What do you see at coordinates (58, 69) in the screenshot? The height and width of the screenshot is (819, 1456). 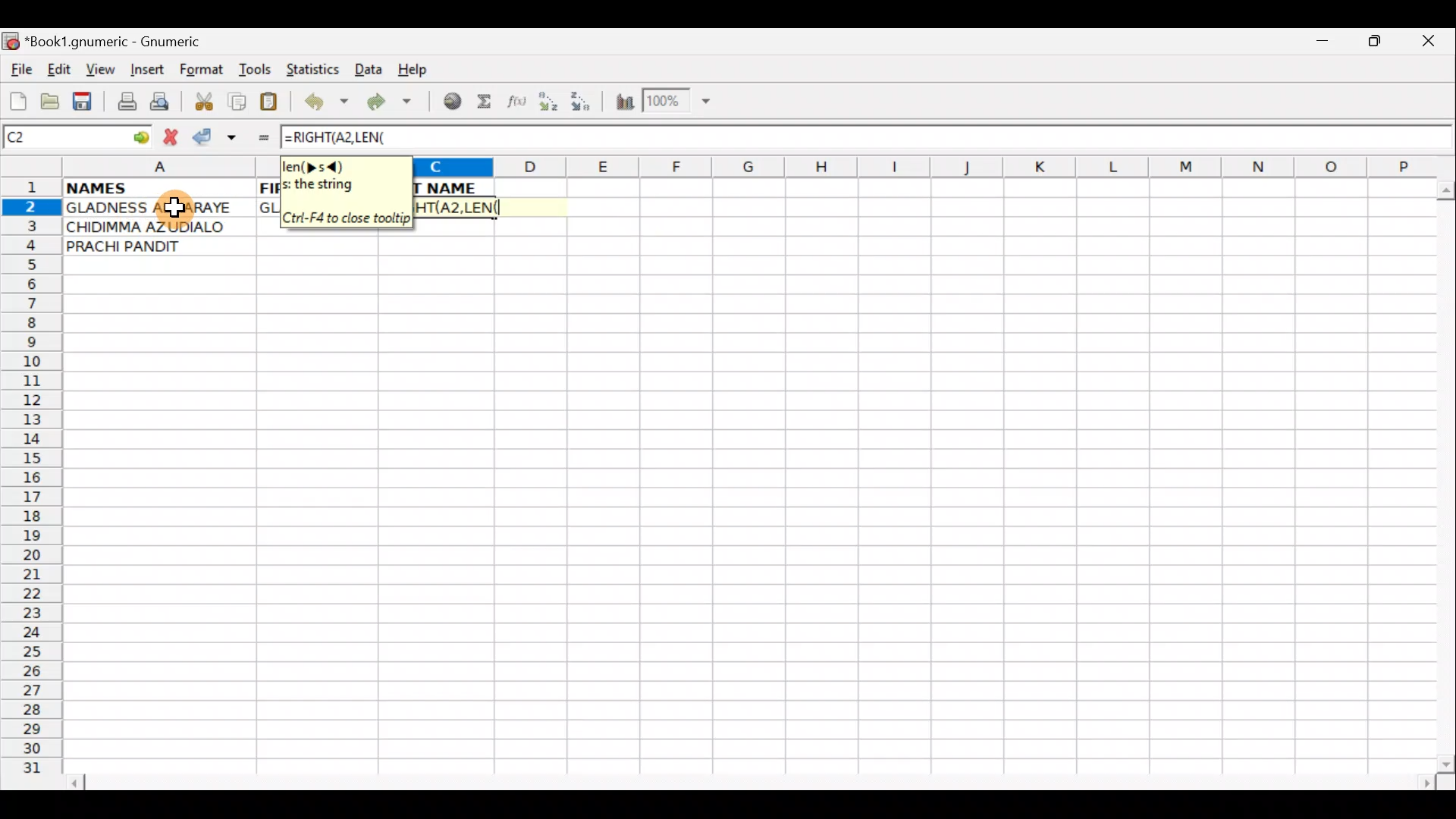 I see `Edit` at bounding box center [58, 69].